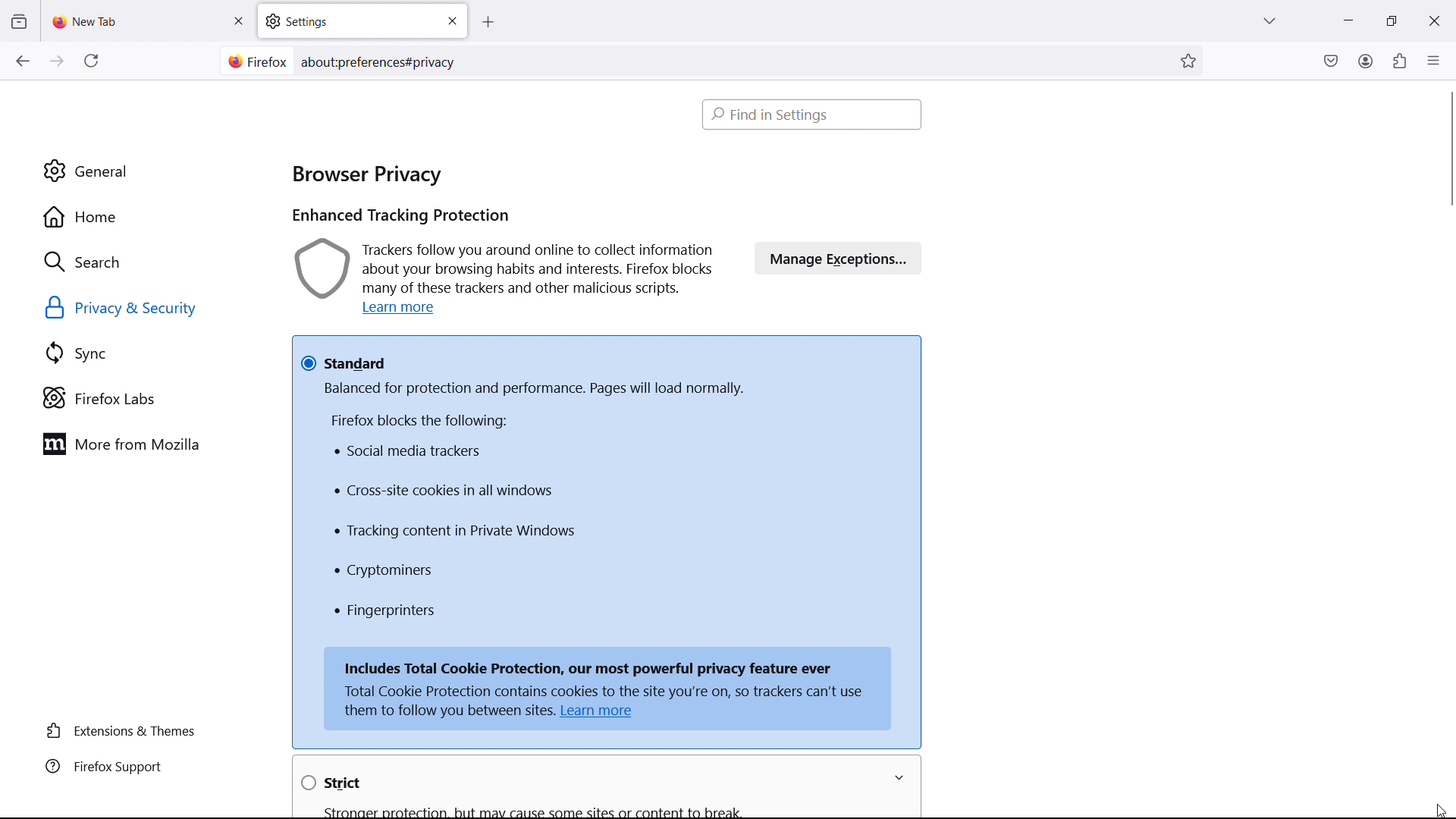 The image size is (1456, 819). I want to click on new tab, so click(87, 21).